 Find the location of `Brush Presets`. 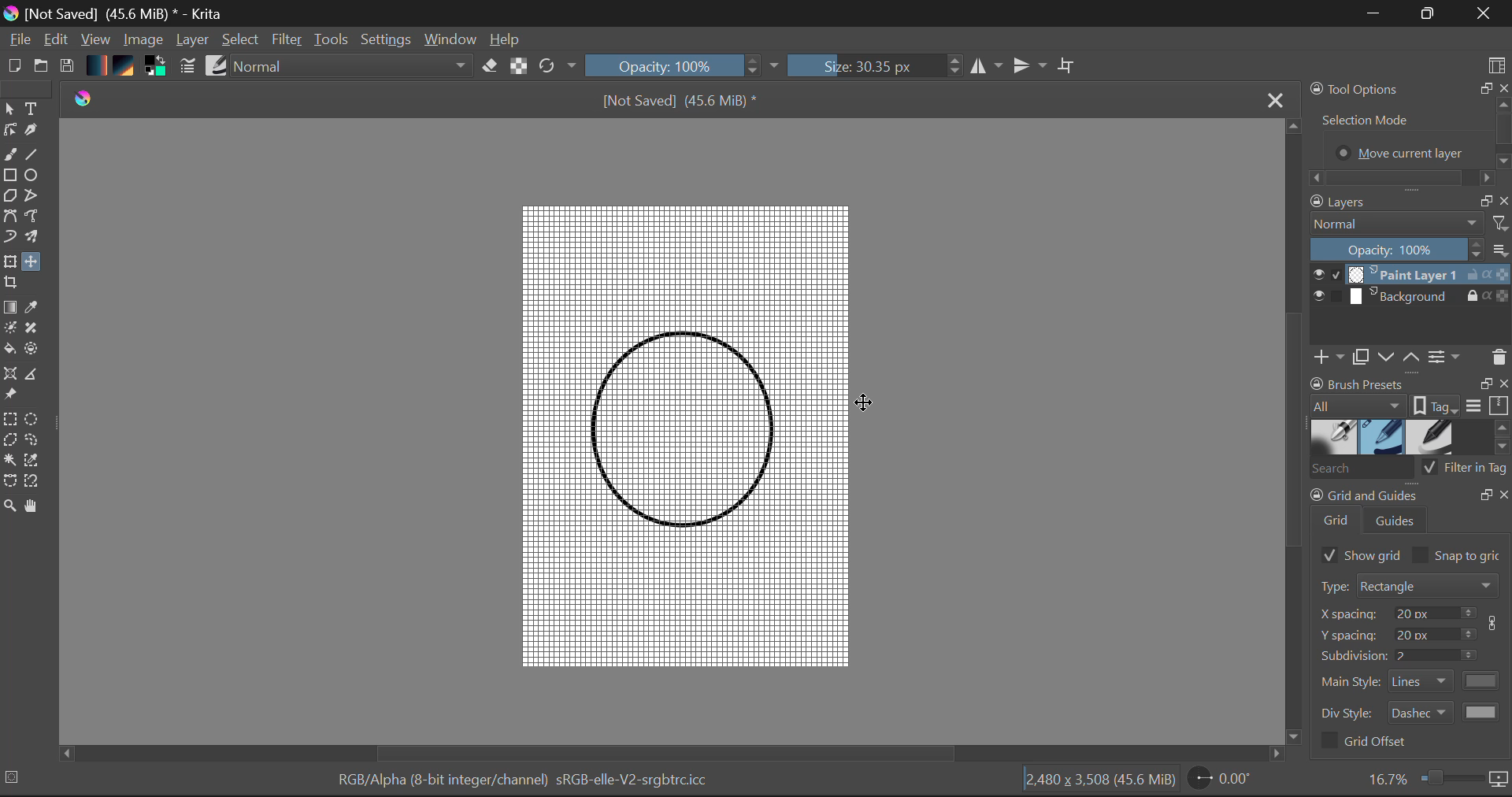

Brush Presets is located at coordinates (1410, 437).